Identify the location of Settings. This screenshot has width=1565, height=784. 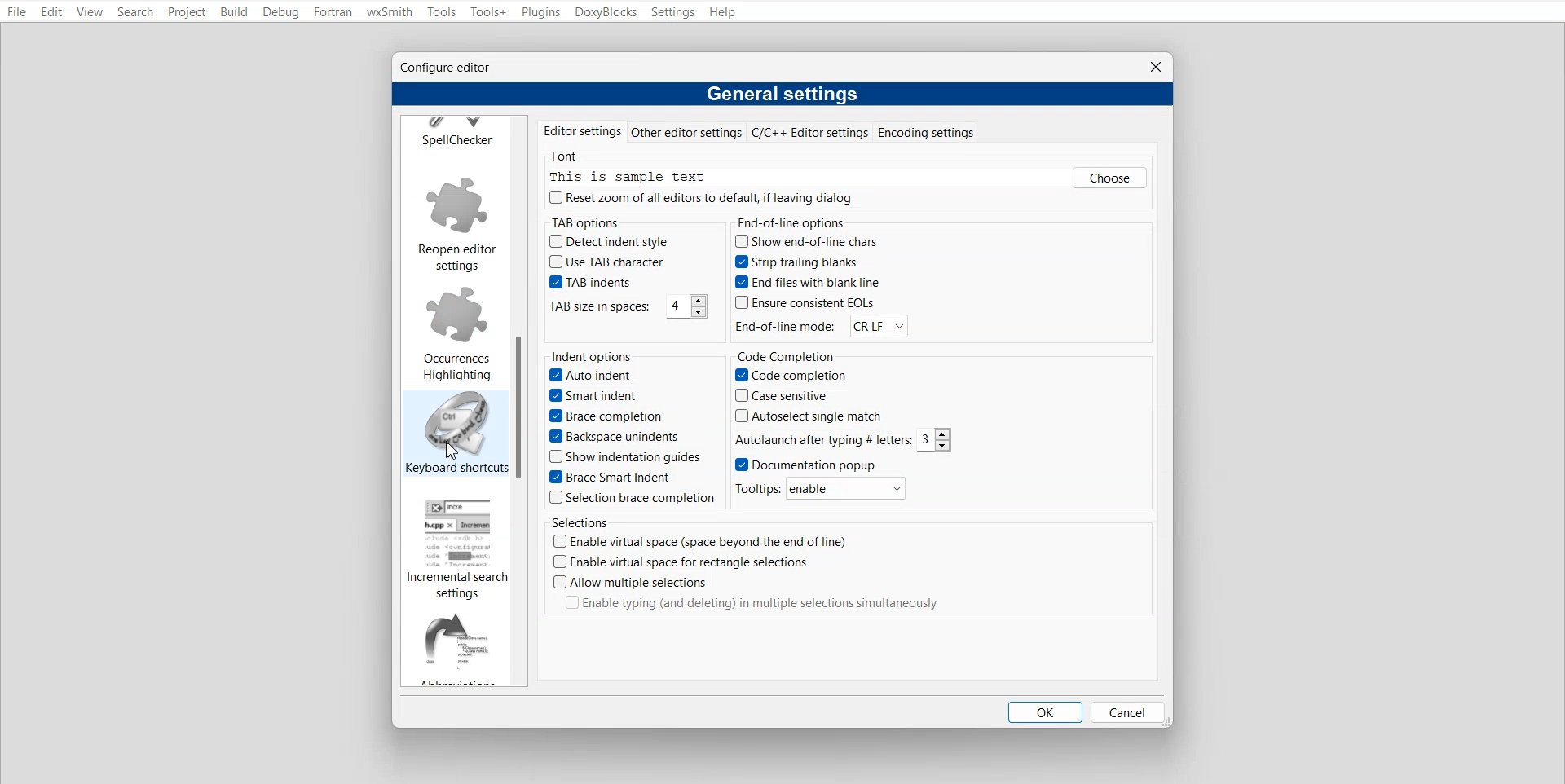
(674, 12).